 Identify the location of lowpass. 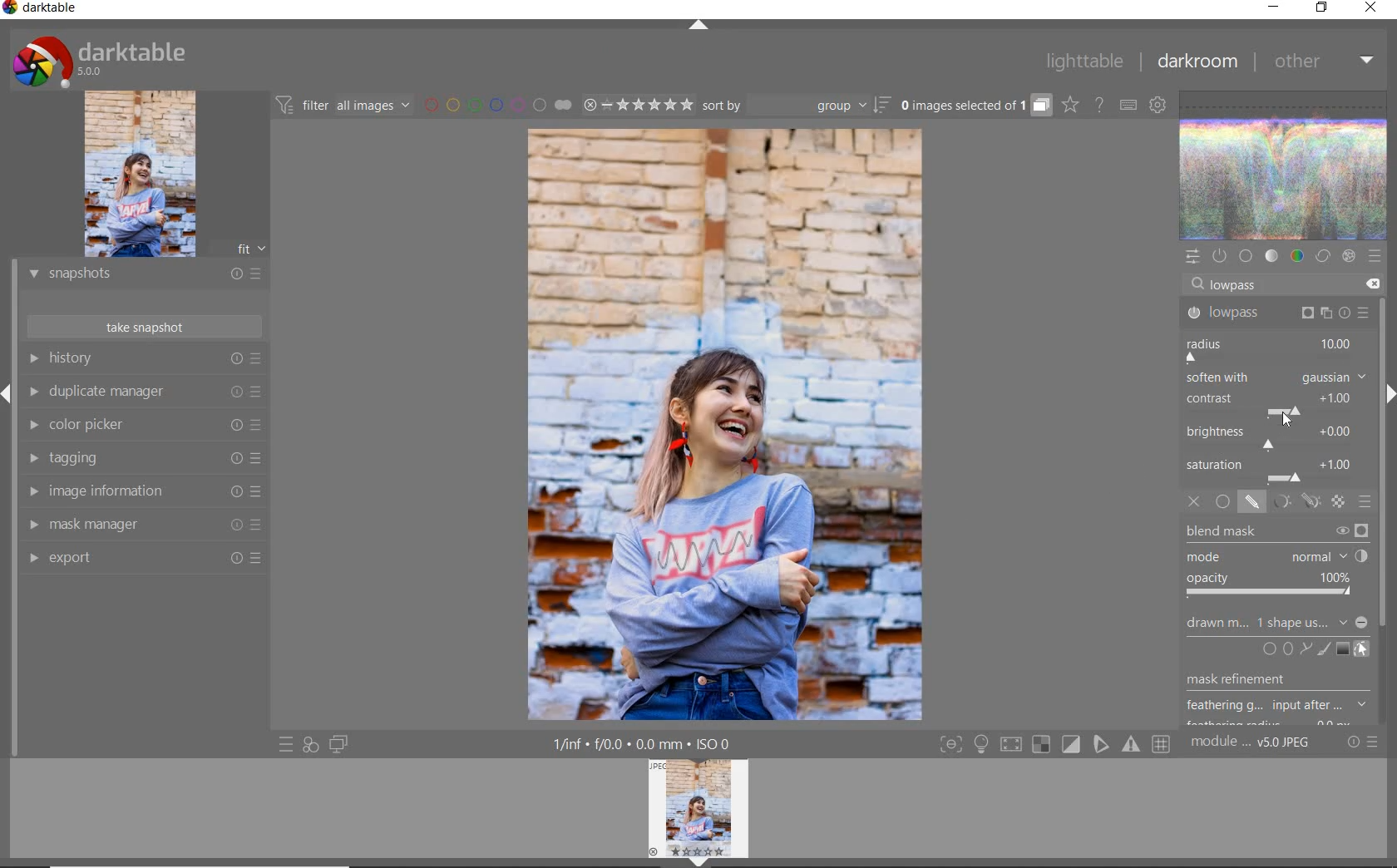
(1276, 313).